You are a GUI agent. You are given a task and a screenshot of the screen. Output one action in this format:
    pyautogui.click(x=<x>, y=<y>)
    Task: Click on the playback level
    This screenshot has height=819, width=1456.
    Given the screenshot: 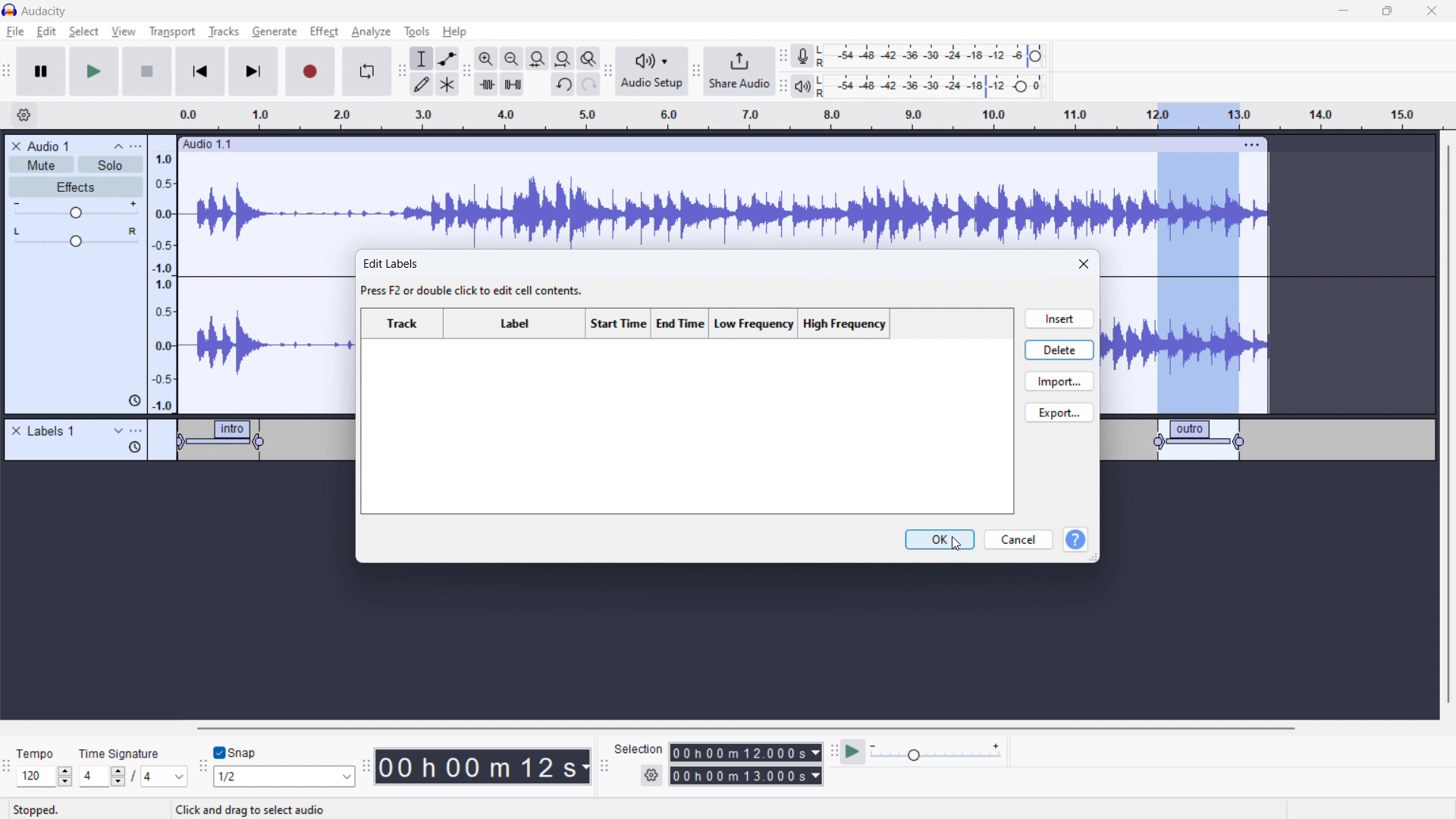 What is the action you would take?
    pyautogui.click(x=942, y=85)
    